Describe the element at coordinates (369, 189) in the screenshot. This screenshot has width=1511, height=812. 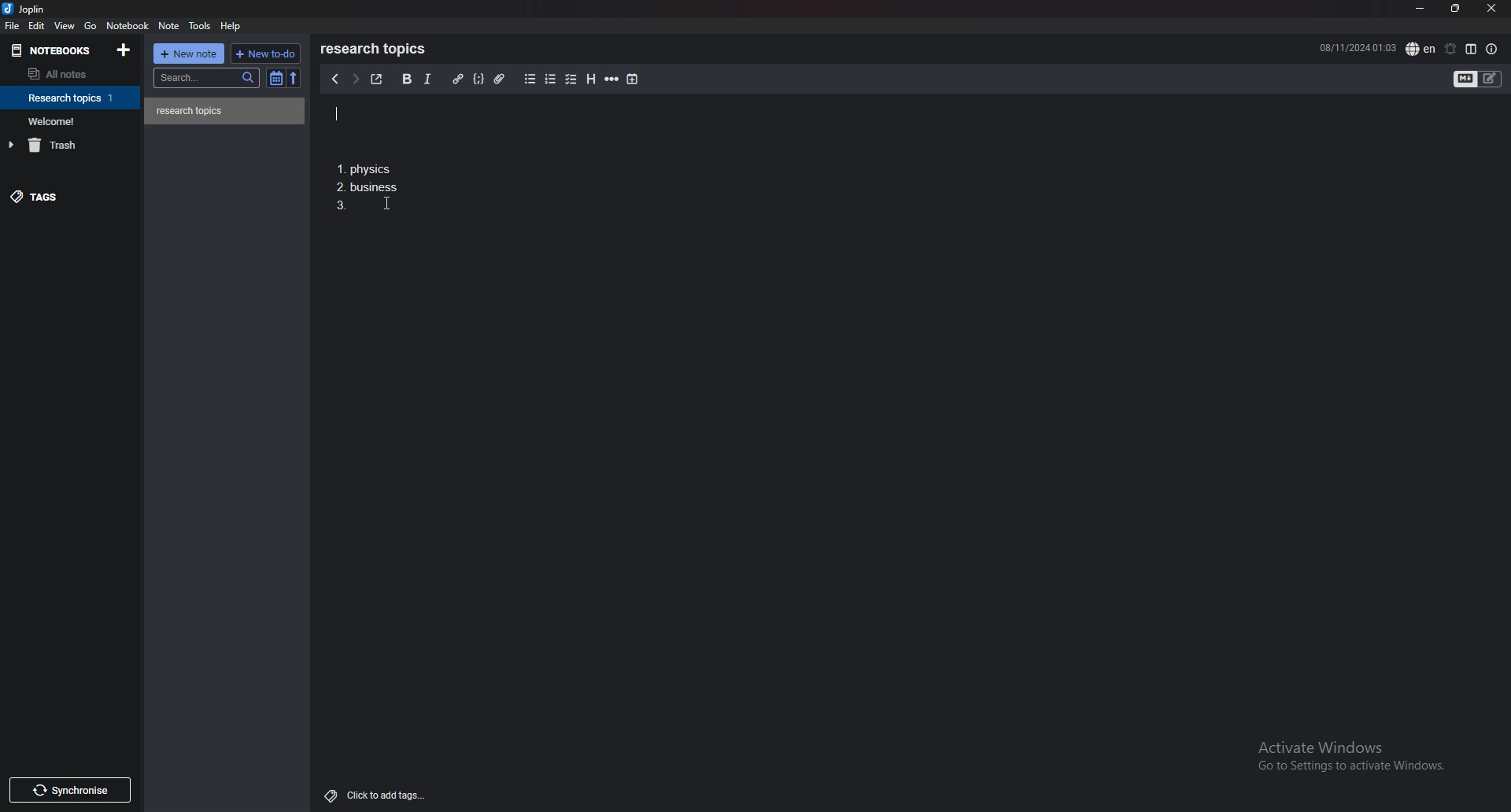
I see `1. Physics 2. business 3.` at that location.